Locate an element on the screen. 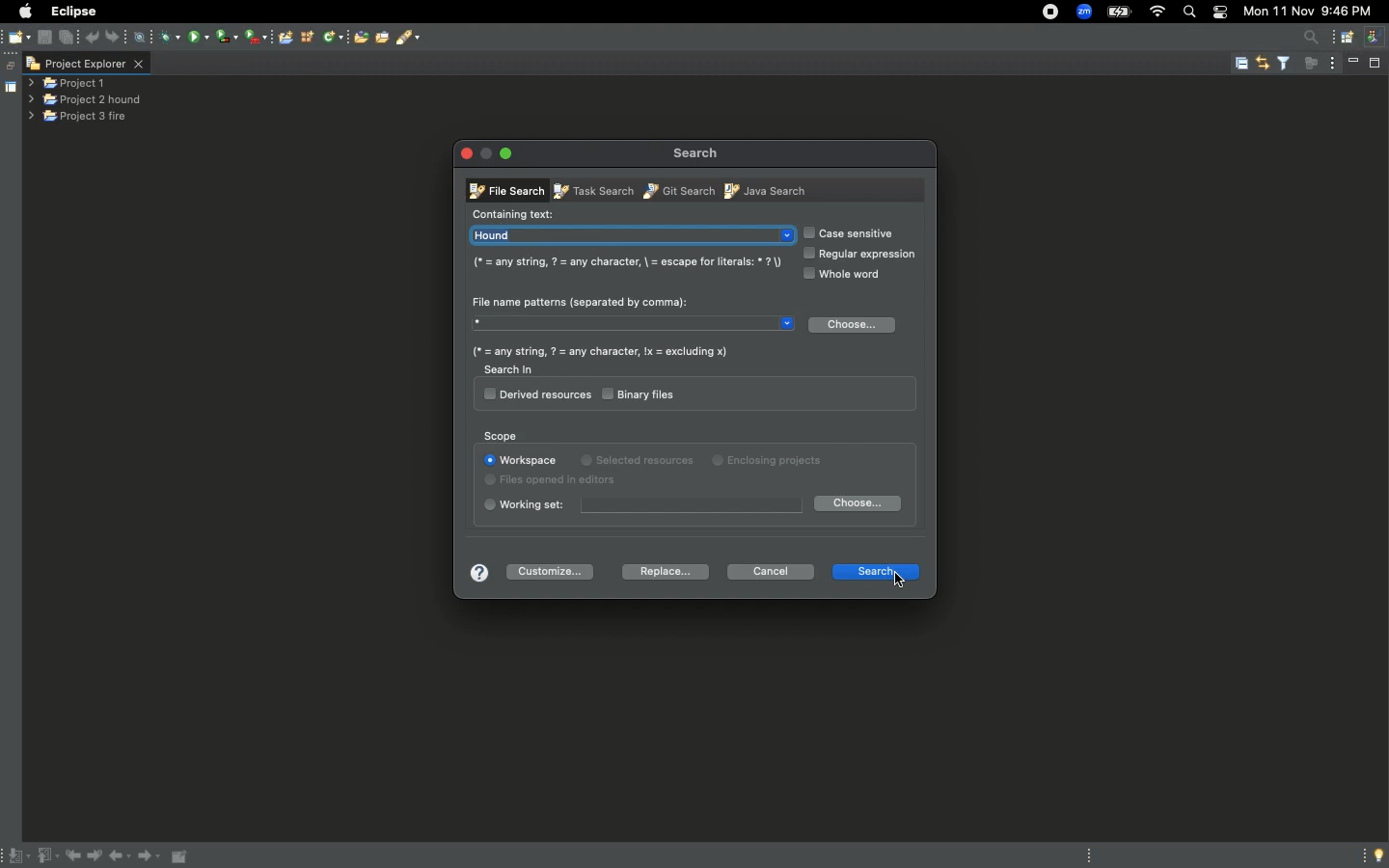 The image size is (1389, 868). Selected resources is located at coordinates (640, 459).